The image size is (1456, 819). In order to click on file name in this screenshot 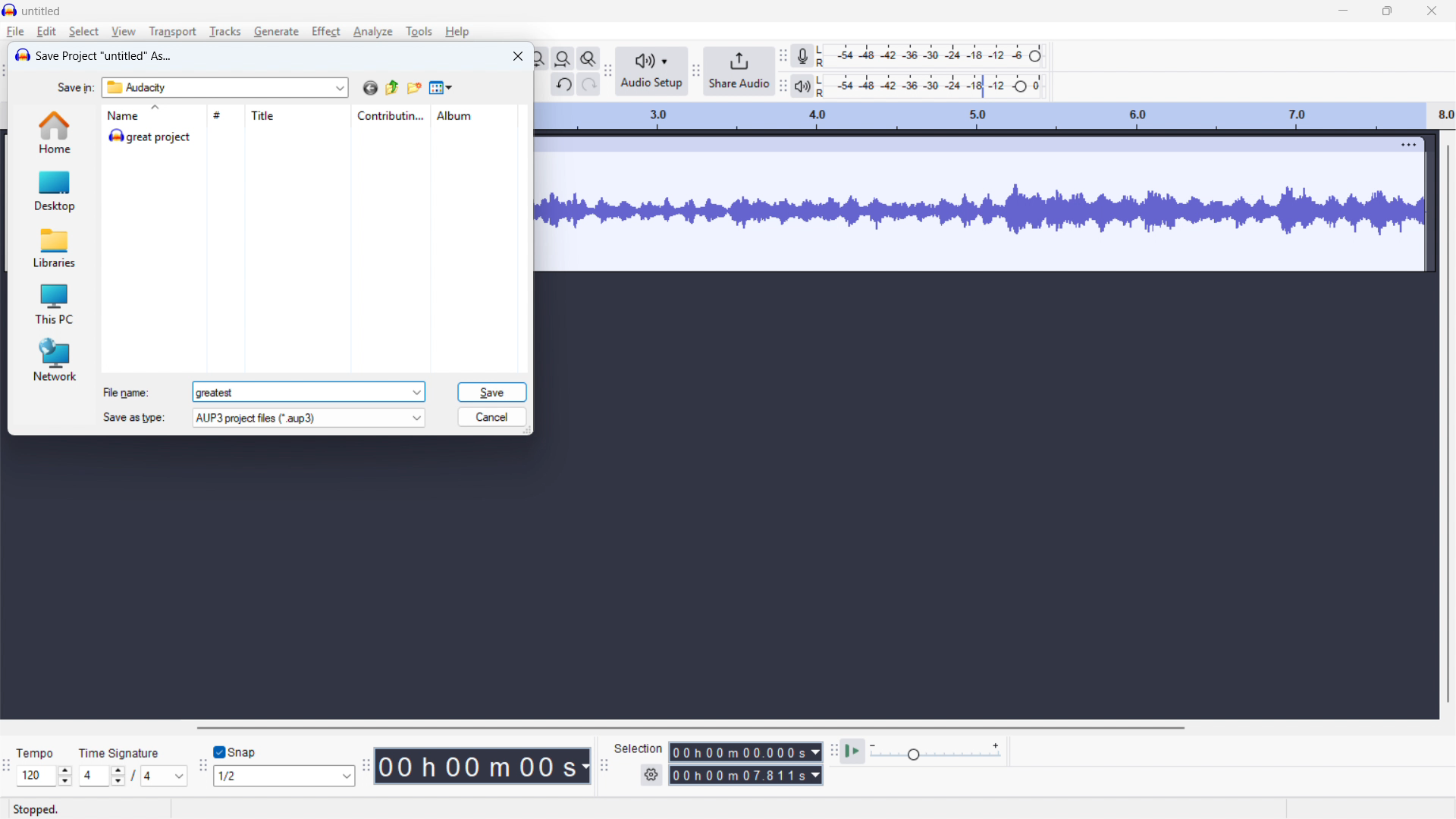, I will do `click(127, 393)`.